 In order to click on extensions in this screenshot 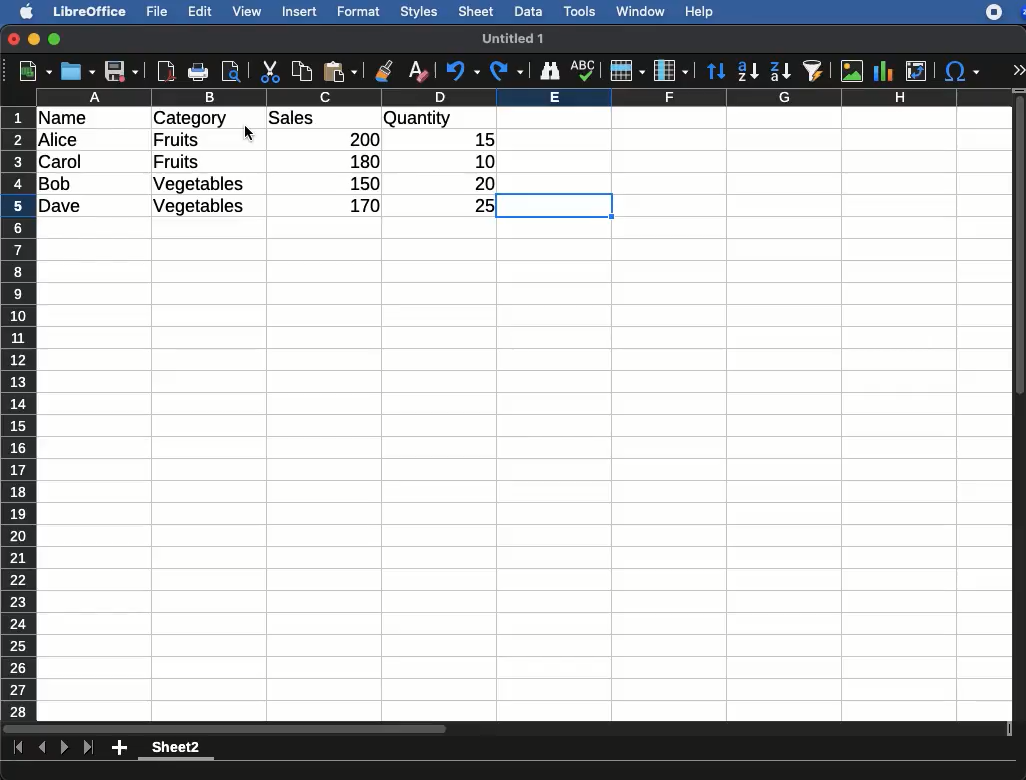, I will do `click(1005, 12)`.